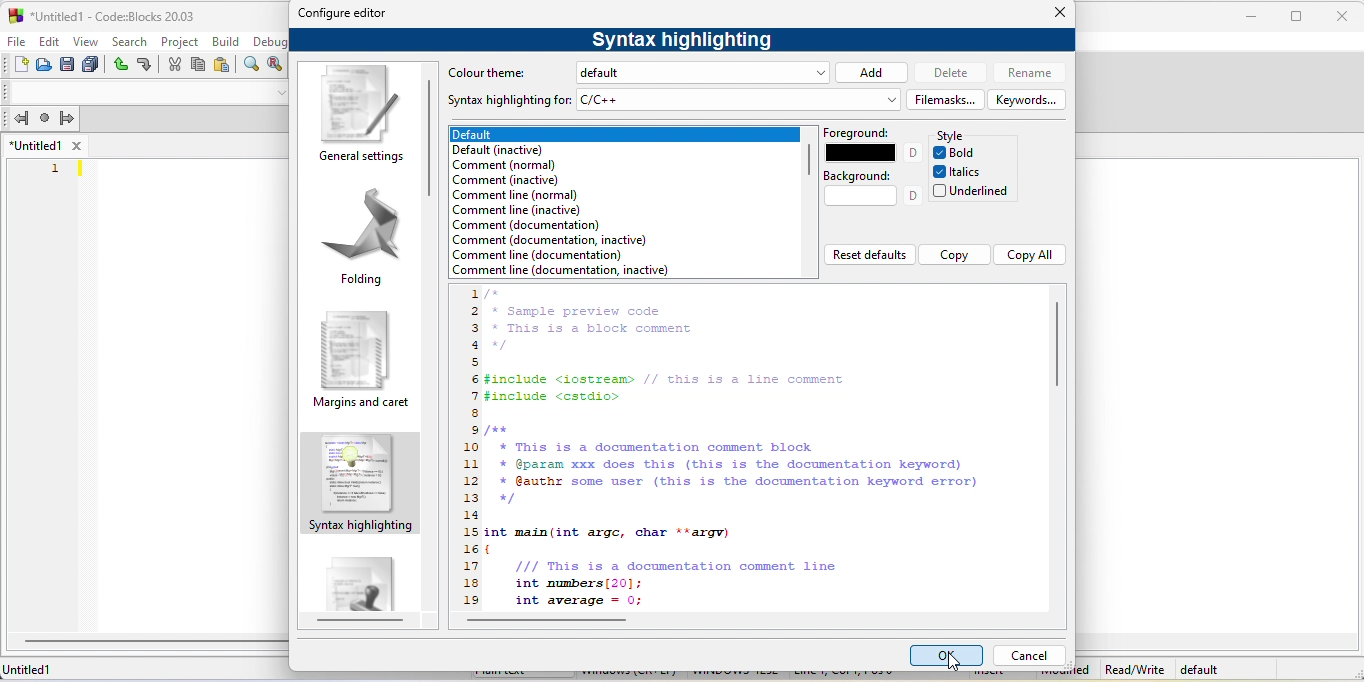 This screenshot has height=682, width=1364. I want to click on horizontal scroll bar, so click(155, 641).